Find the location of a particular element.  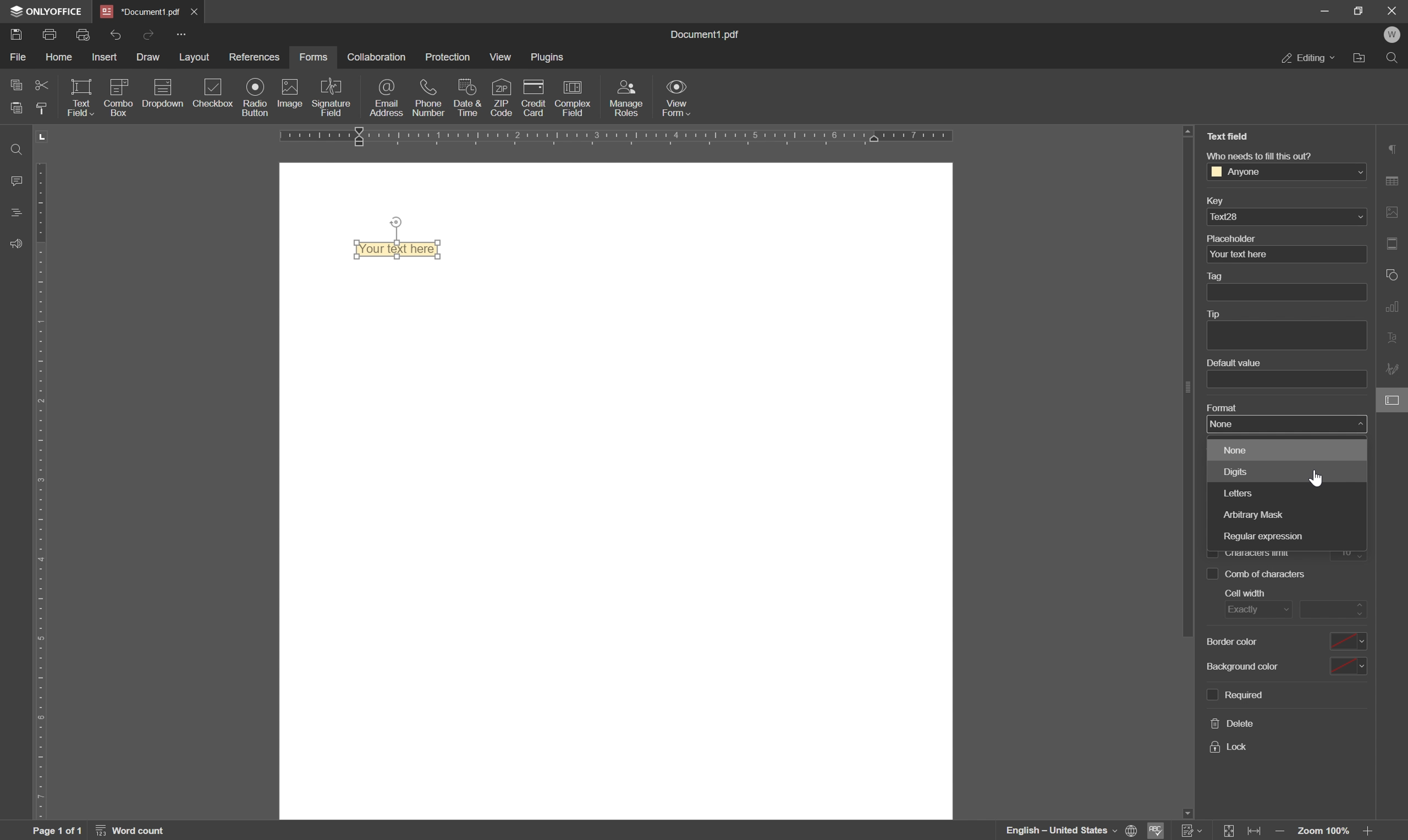

none is located at coordinates (1235, 449).